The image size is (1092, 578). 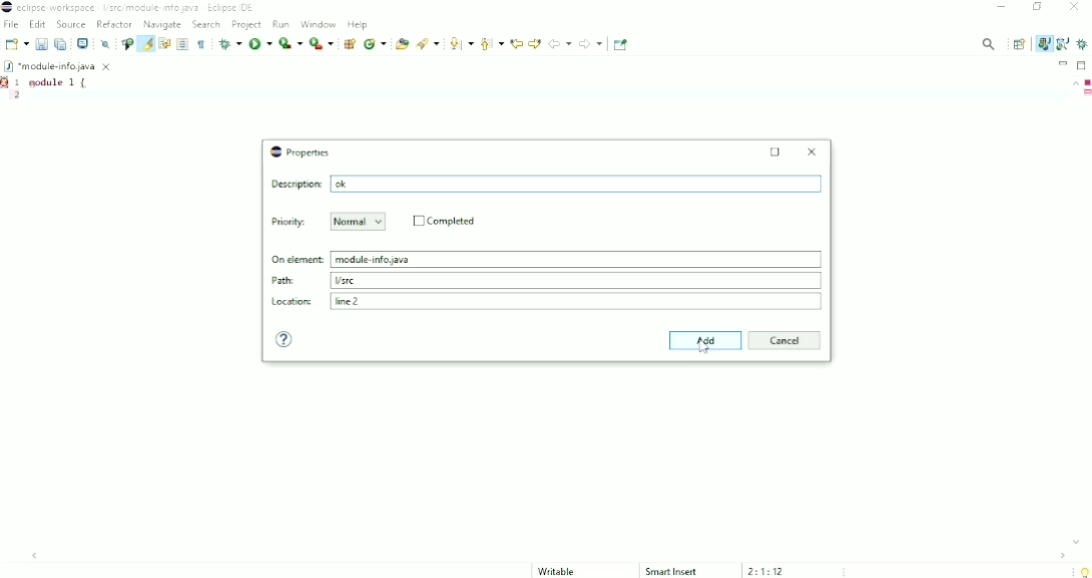 What do you see at coordinates (548, 301) in the screenshot?
I see `Location` at bounding box center [548, 301].